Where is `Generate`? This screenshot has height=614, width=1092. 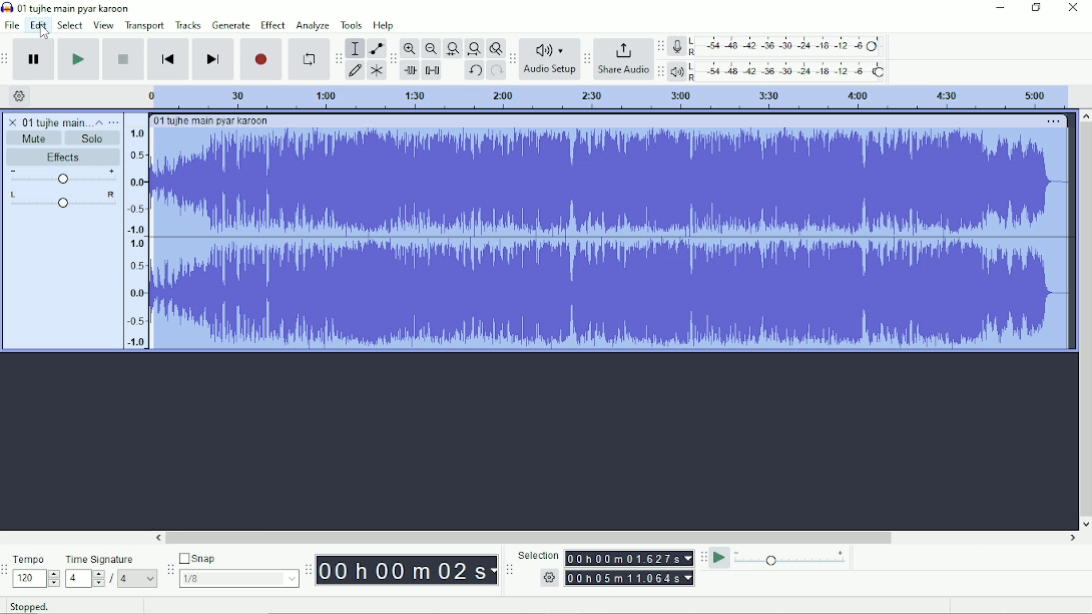 Generate is located at coordinates (231, 25).